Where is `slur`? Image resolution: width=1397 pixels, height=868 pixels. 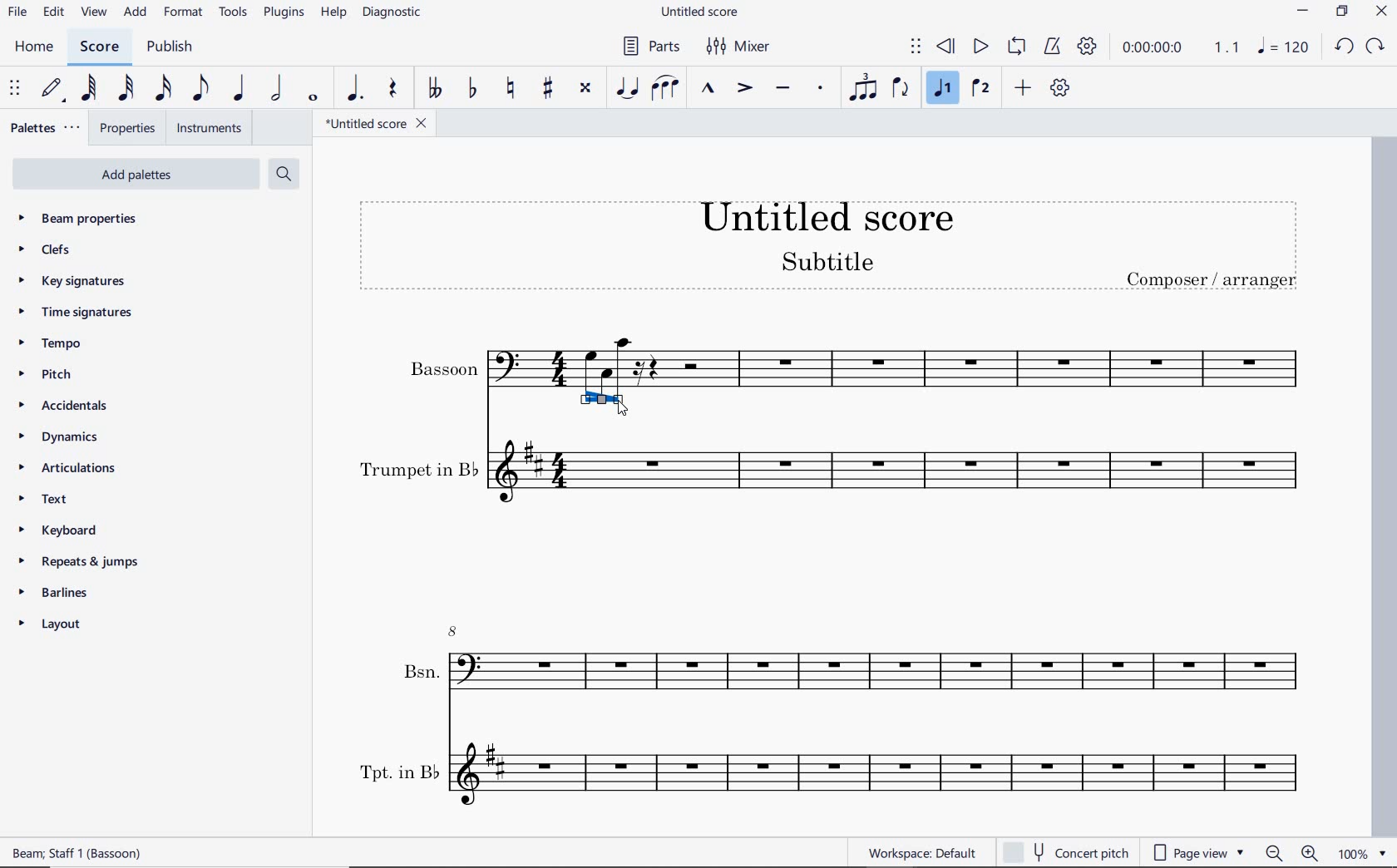 slur is located at coordinates (666, 87).